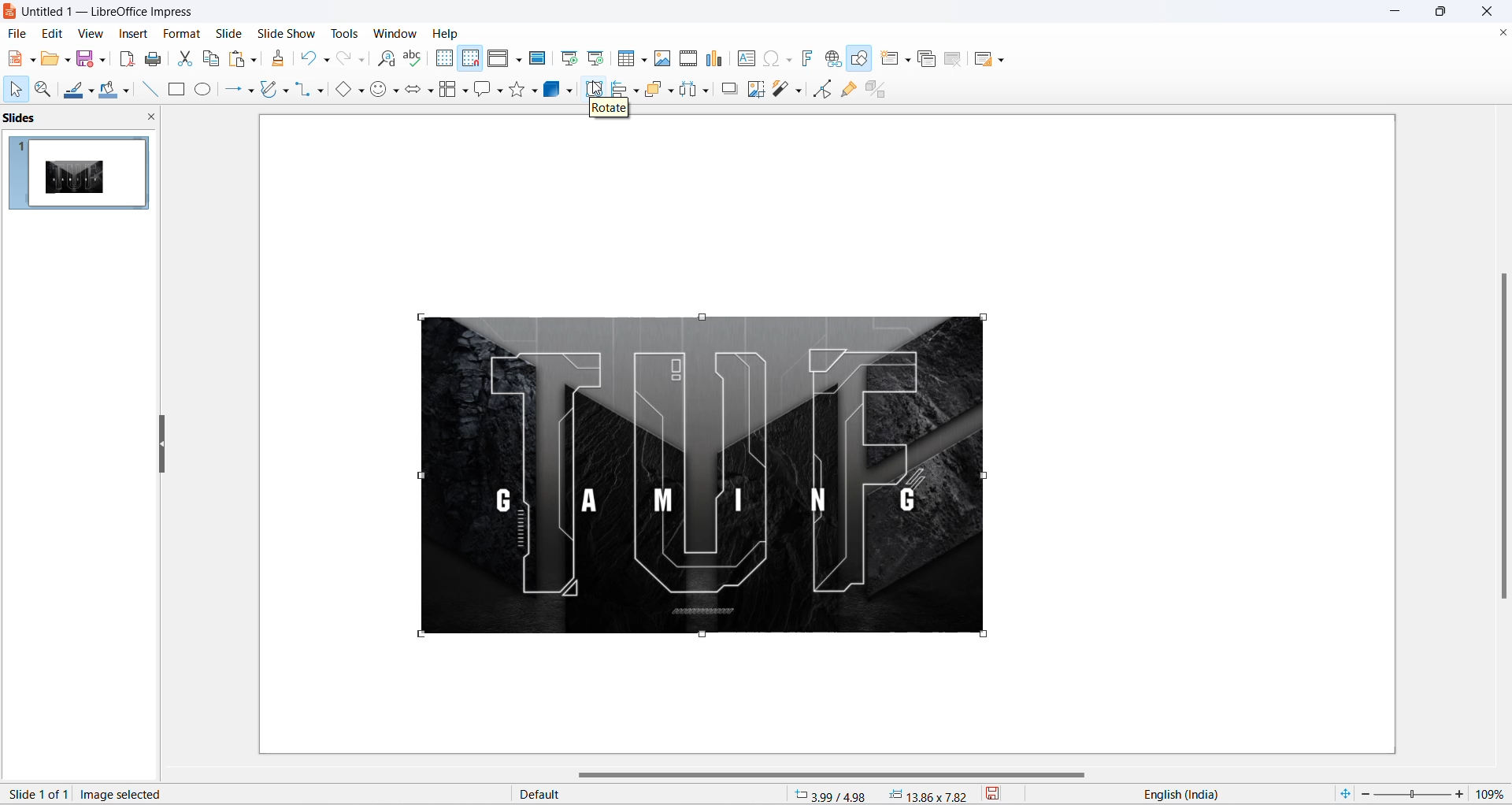 This screenshot has height=805, width=1512. I want to click on close document, so click(1501, 33).